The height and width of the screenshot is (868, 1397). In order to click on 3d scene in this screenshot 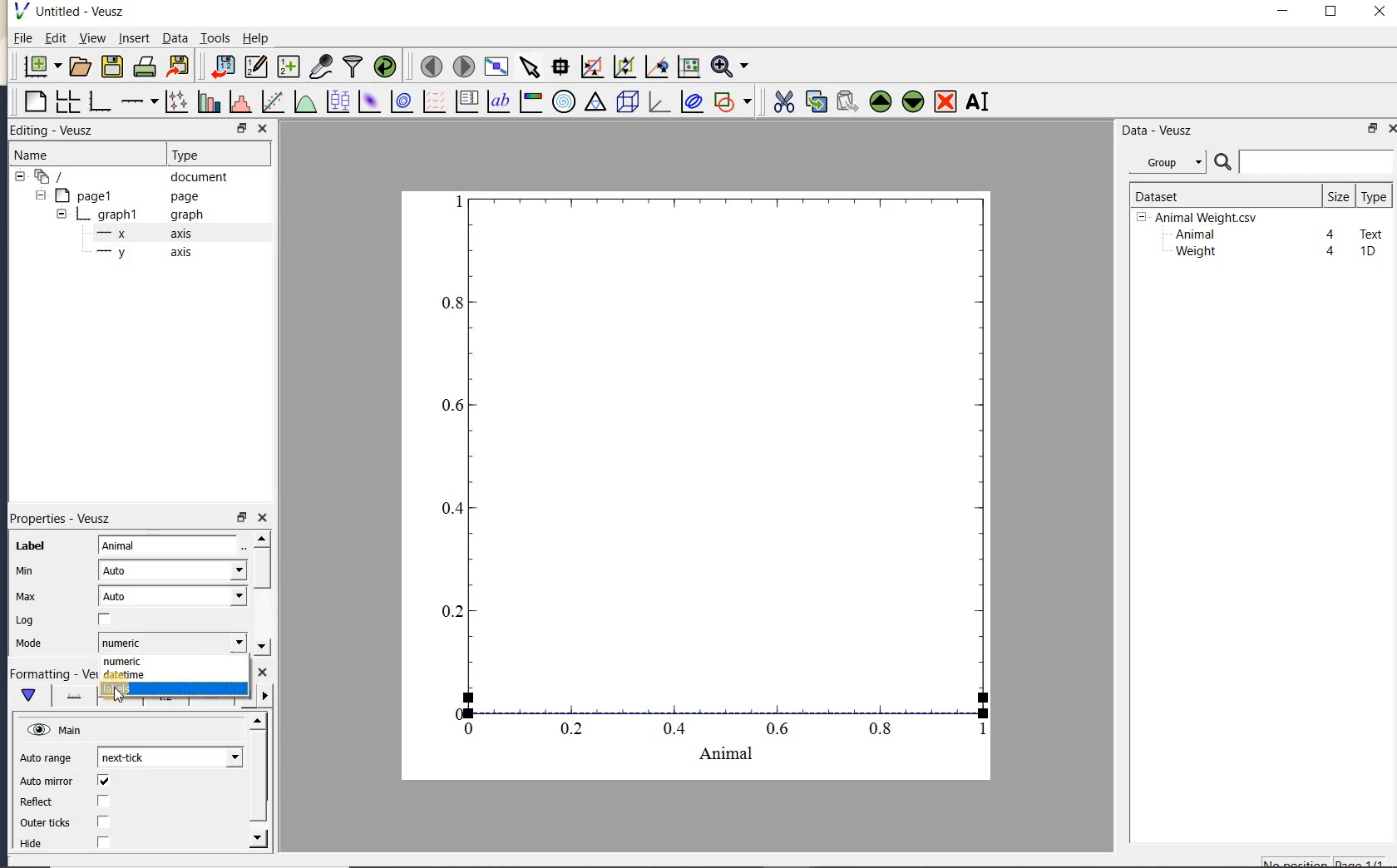, I will do `click(625, 102)`.